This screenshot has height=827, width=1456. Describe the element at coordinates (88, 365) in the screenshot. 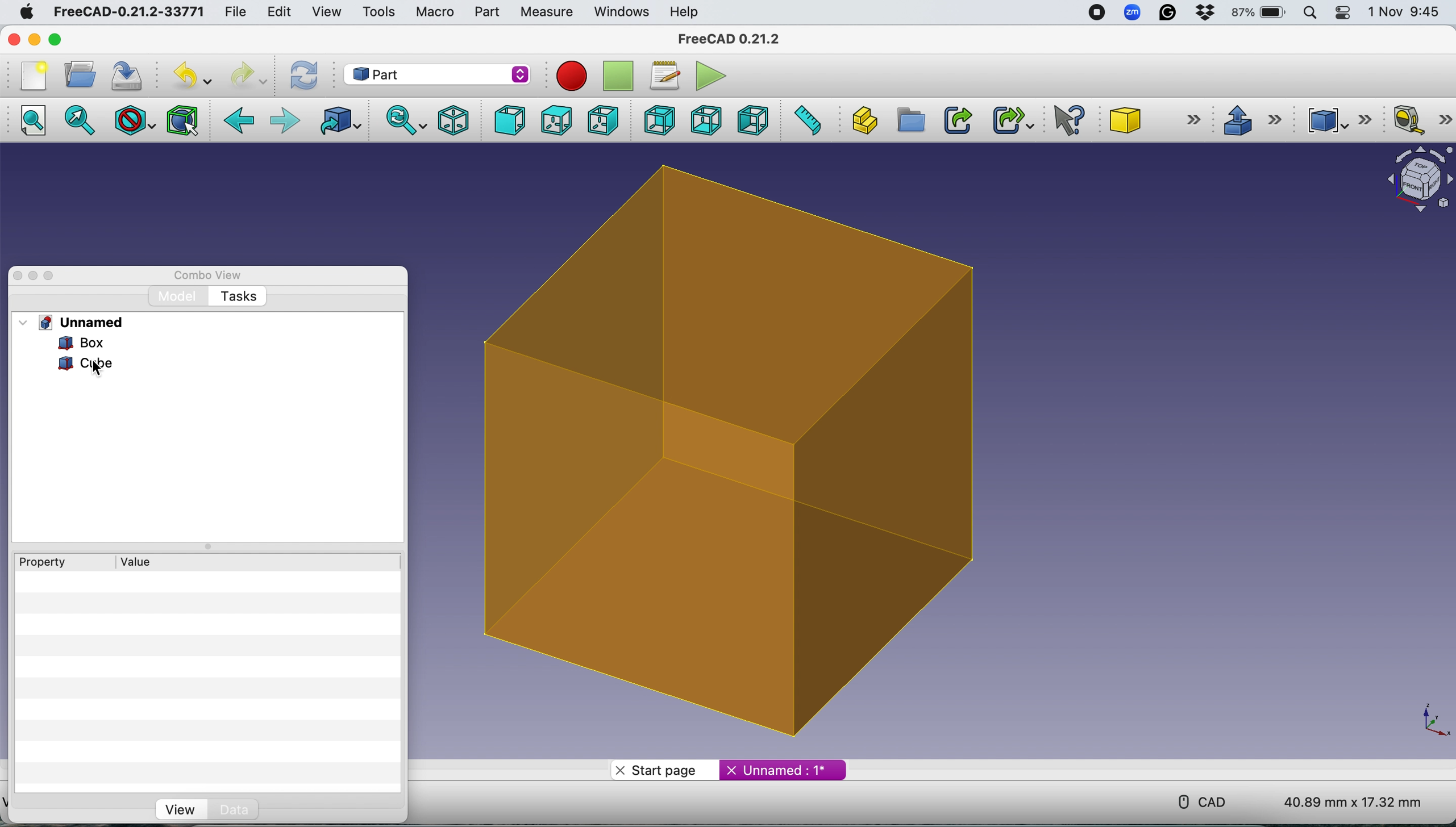

I see `cube` at that location.